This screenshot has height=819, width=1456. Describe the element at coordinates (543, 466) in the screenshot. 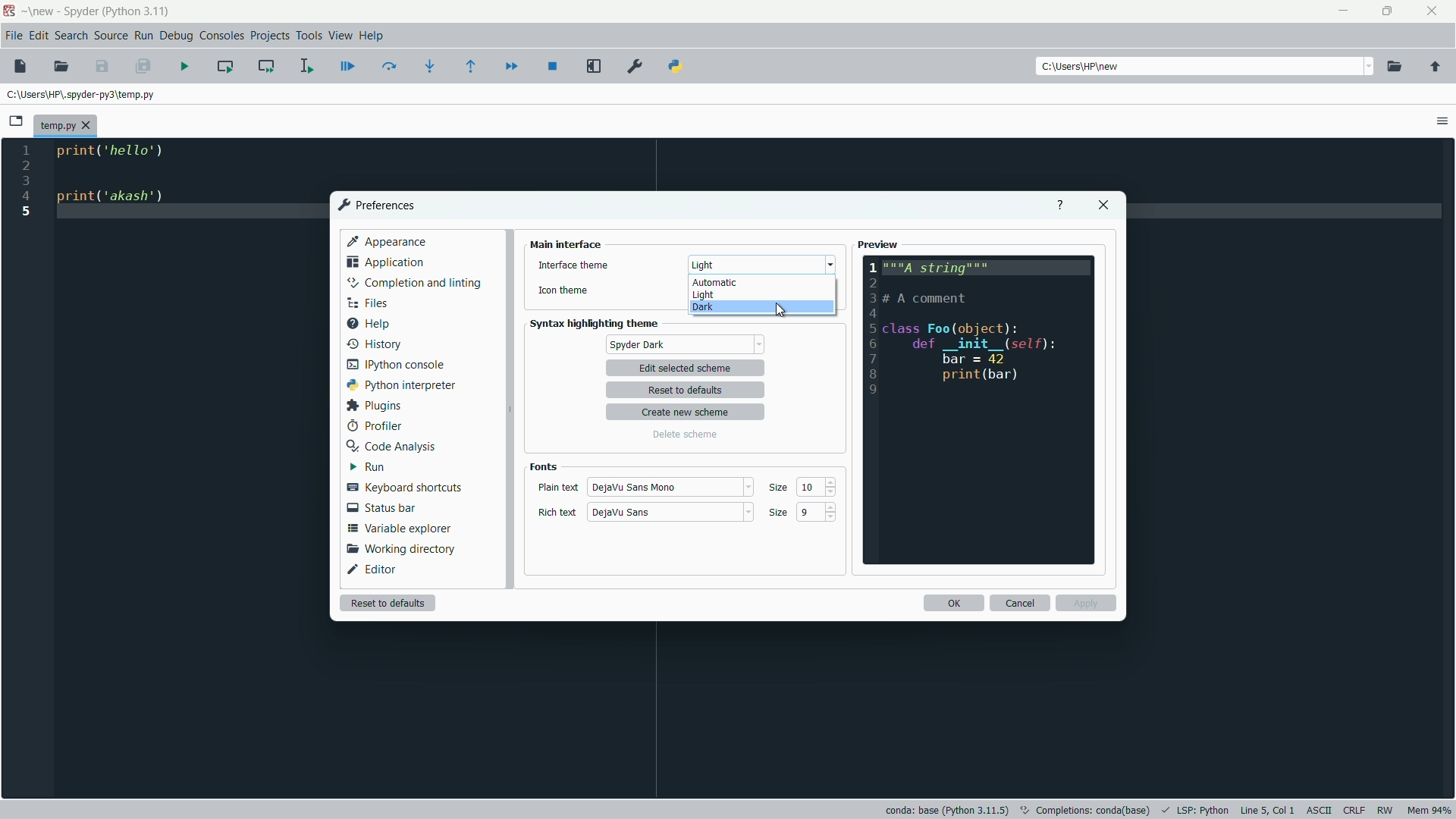

I see `fonts` at that location.